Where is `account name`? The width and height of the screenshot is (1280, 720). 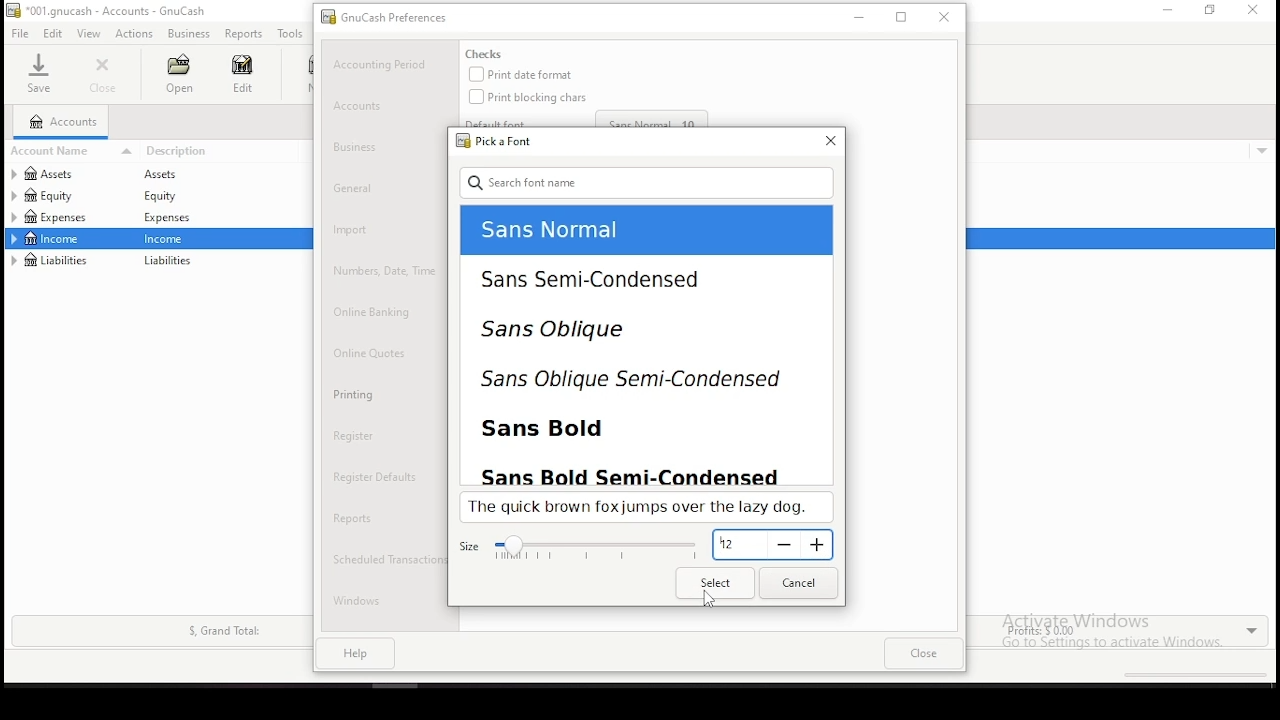 account name is located at coordinates (74, 150).